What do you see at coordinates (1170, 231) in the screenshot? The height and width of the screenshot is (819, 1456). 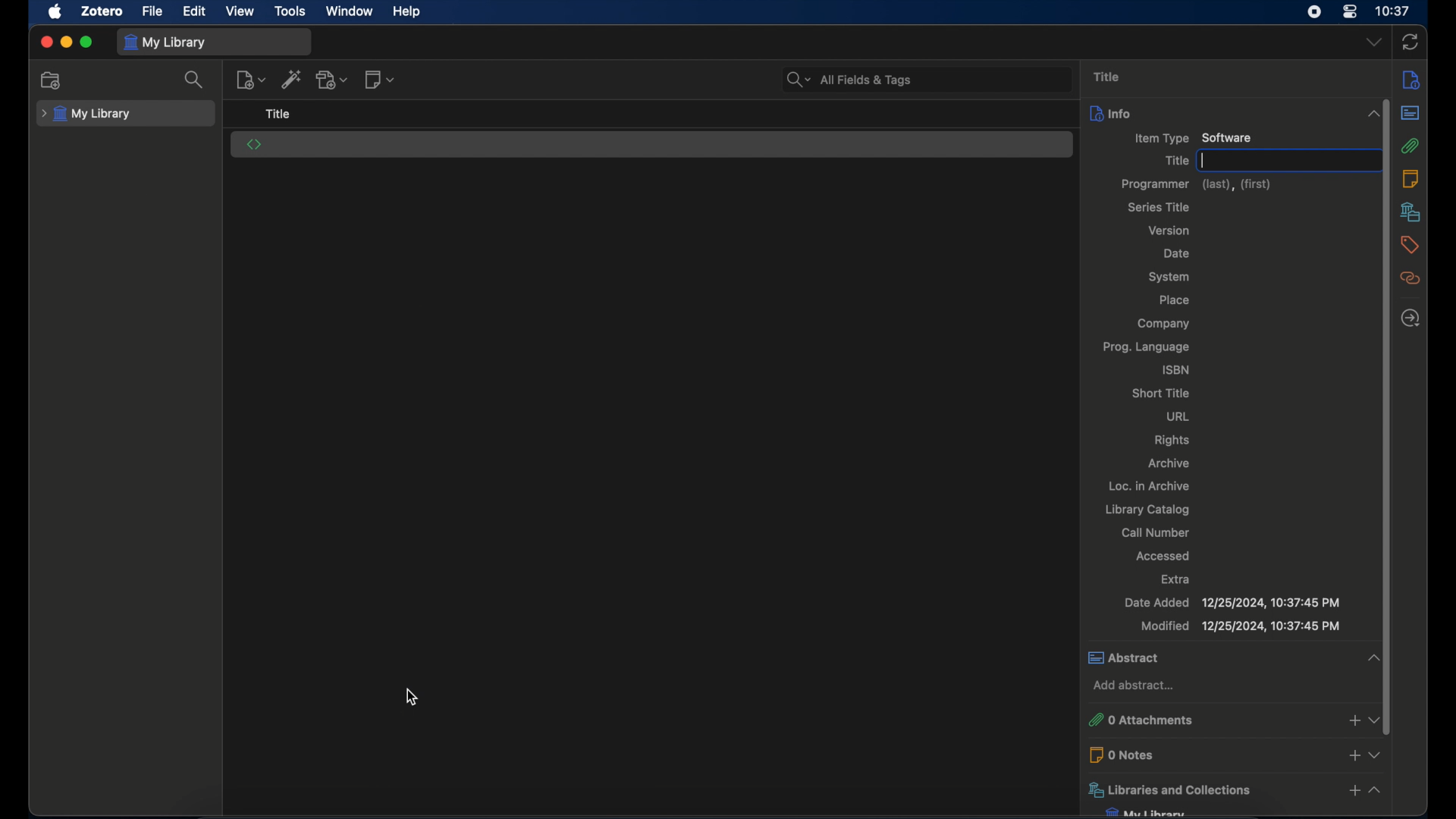 I see `version` at bounding box center [1170, 231].